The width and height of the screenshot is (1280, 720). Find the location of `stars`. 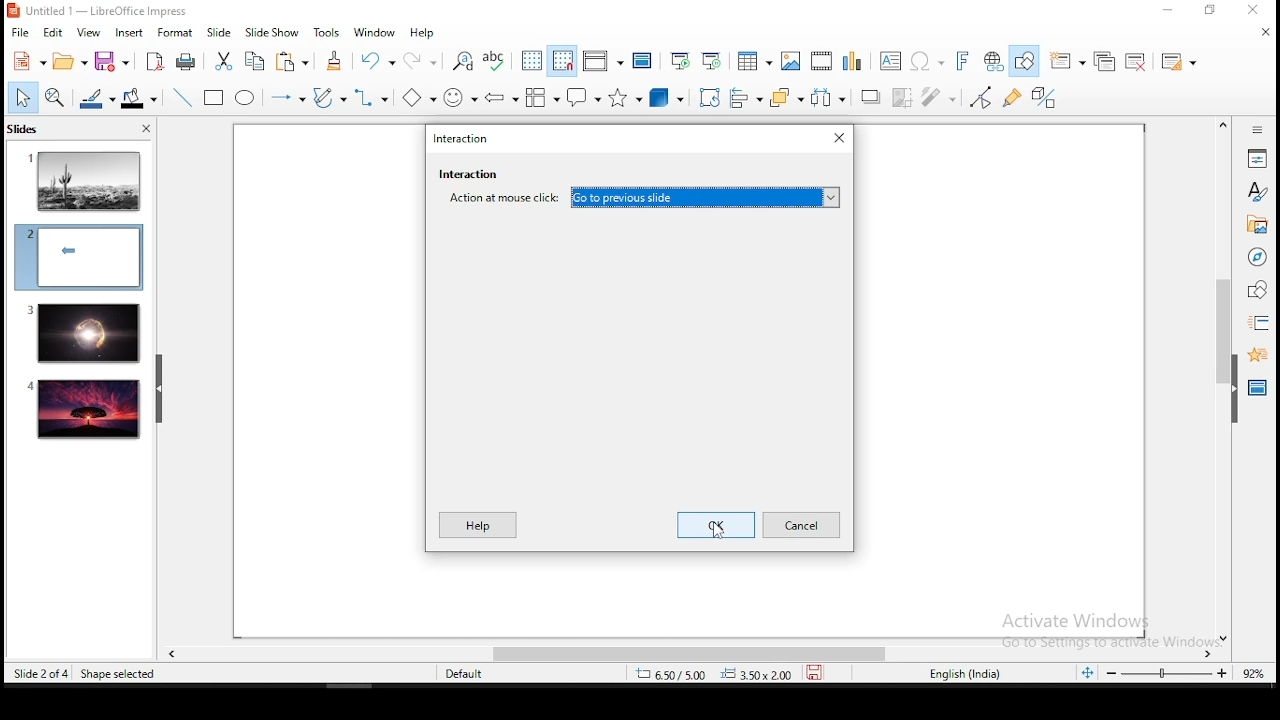

stars is located at coordinates (623, 99).